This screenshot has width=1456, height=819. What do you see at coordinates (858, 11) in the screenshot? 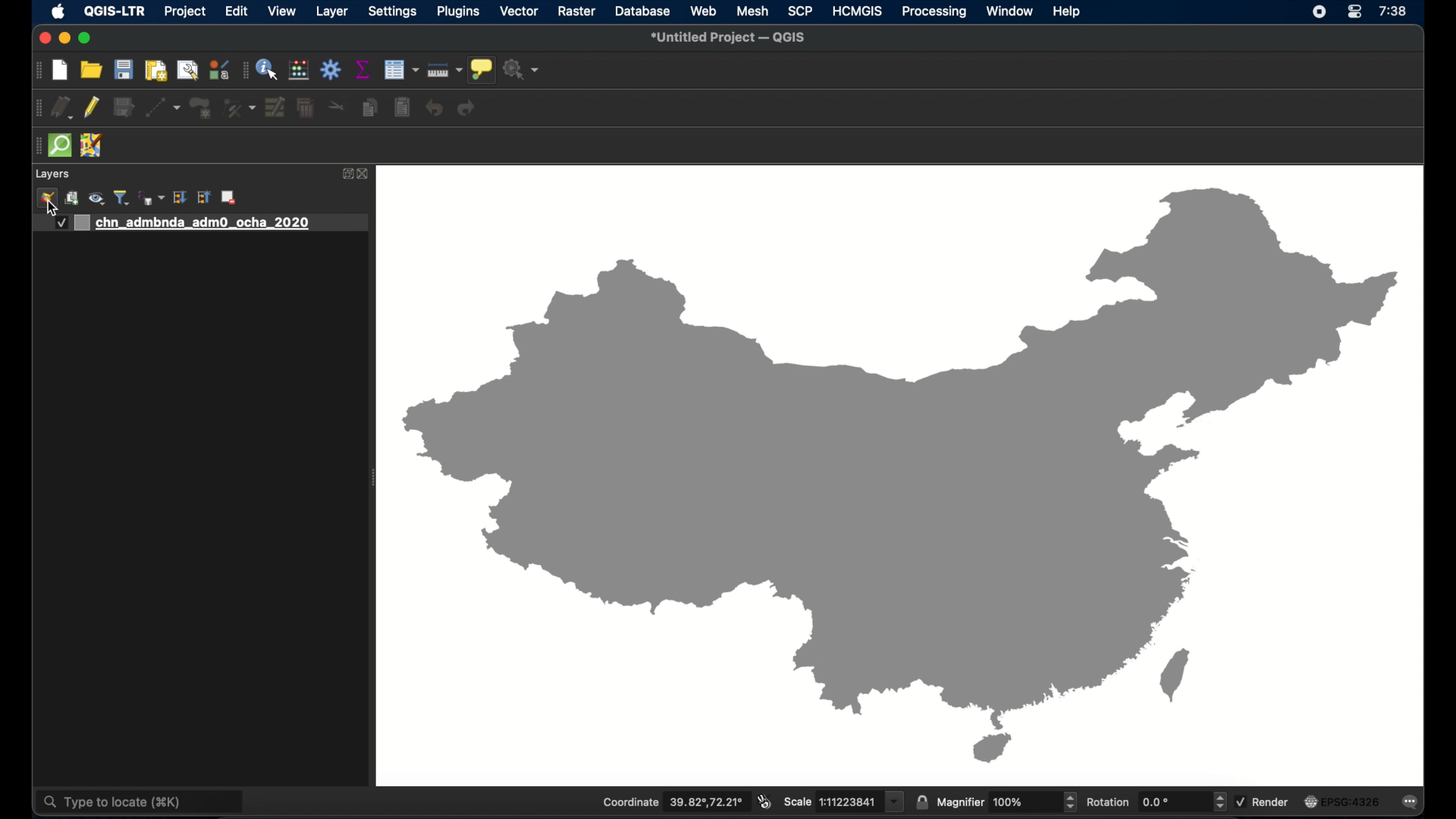
I see `HCMGIS` at bounding box center [858, 11].